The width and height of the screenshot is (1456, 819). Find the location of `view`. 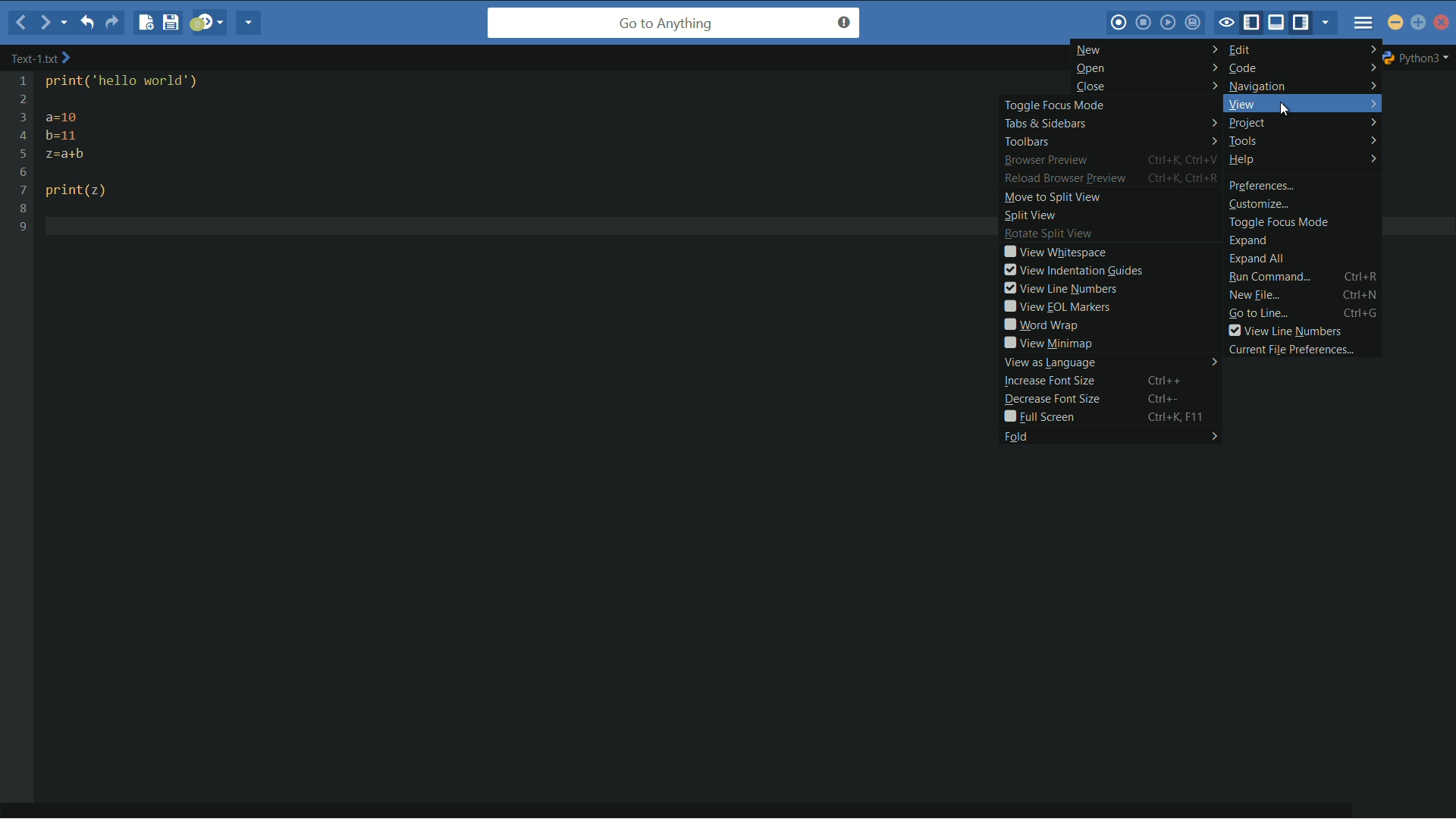

view is located at coordinates (1300, 105).